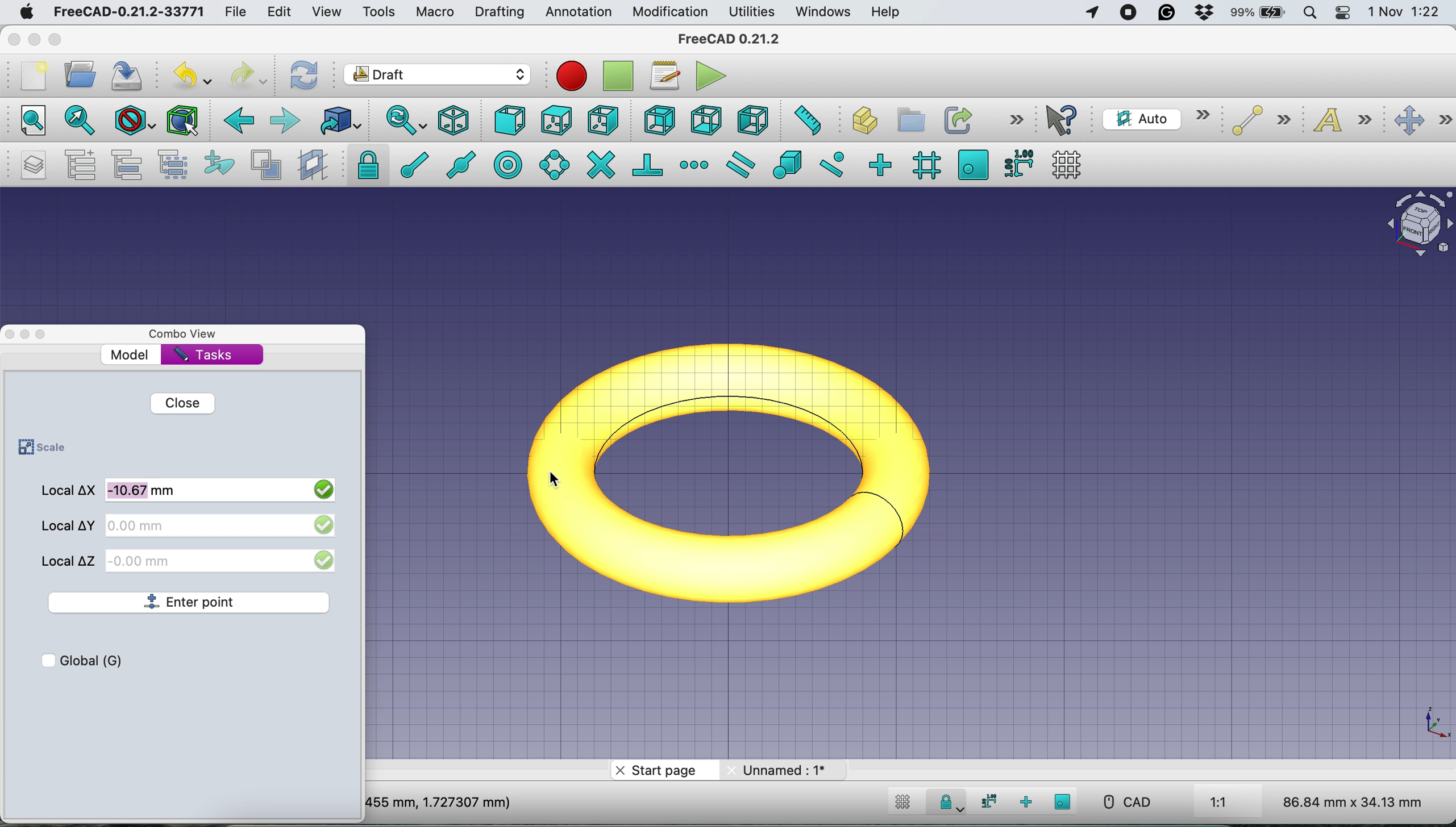 This screenshot has width=1456, height=827. What do you see at coordinates (192, 73) in the screenshot?
I see `undo` at bounding box center [192, 73].